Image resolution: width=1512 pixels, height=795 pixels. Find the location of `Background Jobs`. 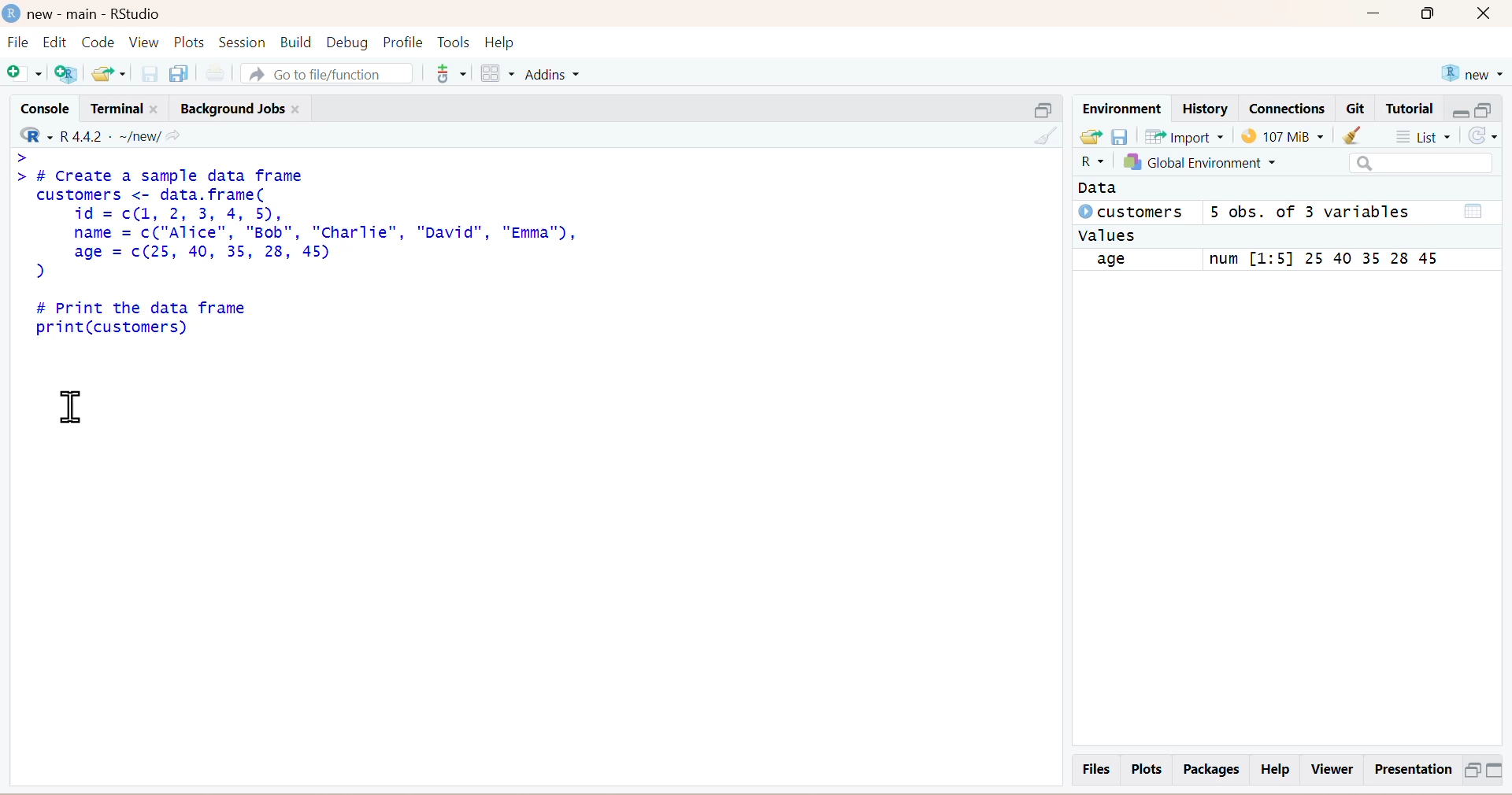

Background Jobs is located at coordinates (243, 105).